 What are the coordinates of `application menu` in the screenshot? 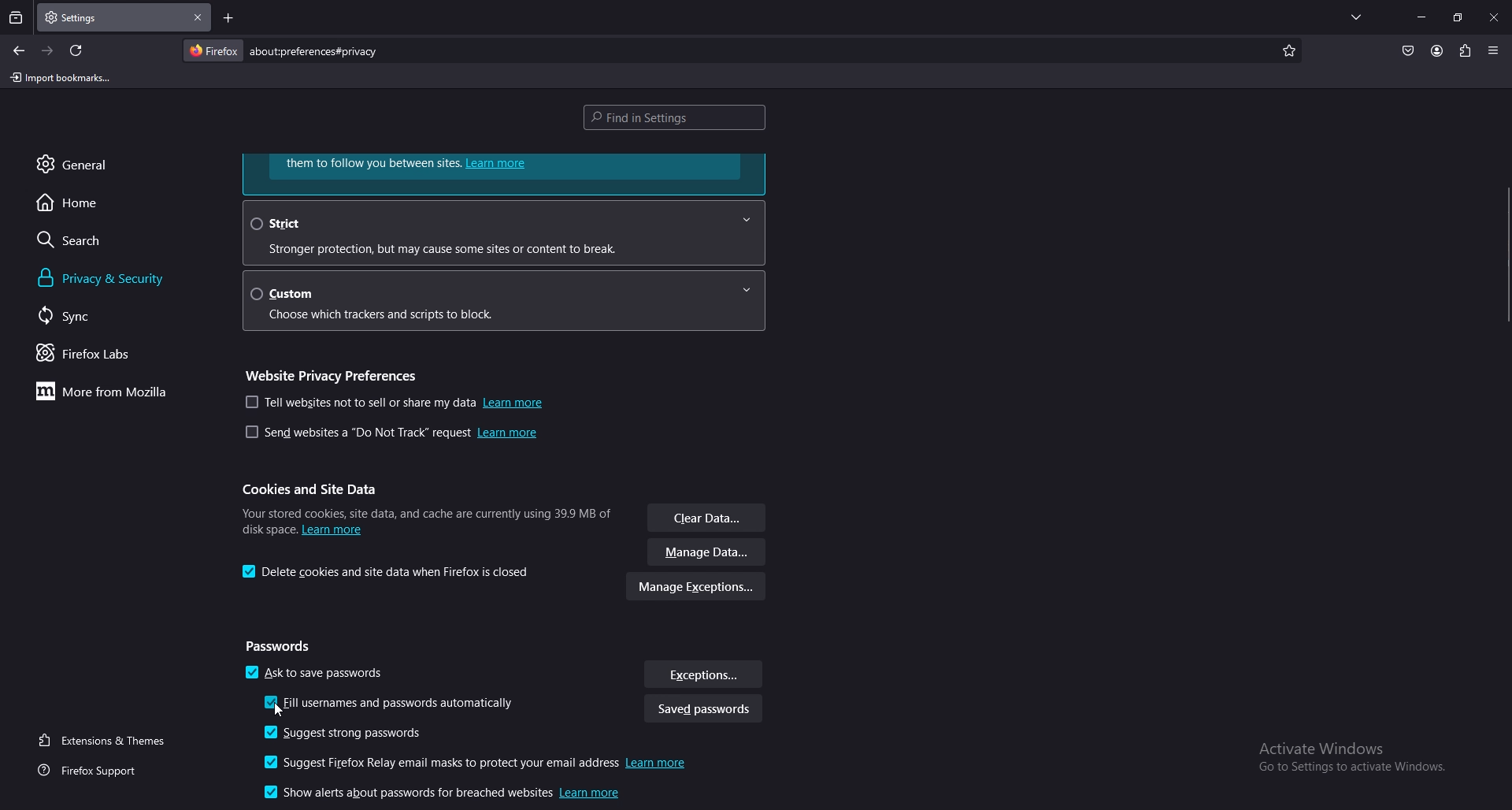 It's located at (1494, 49).